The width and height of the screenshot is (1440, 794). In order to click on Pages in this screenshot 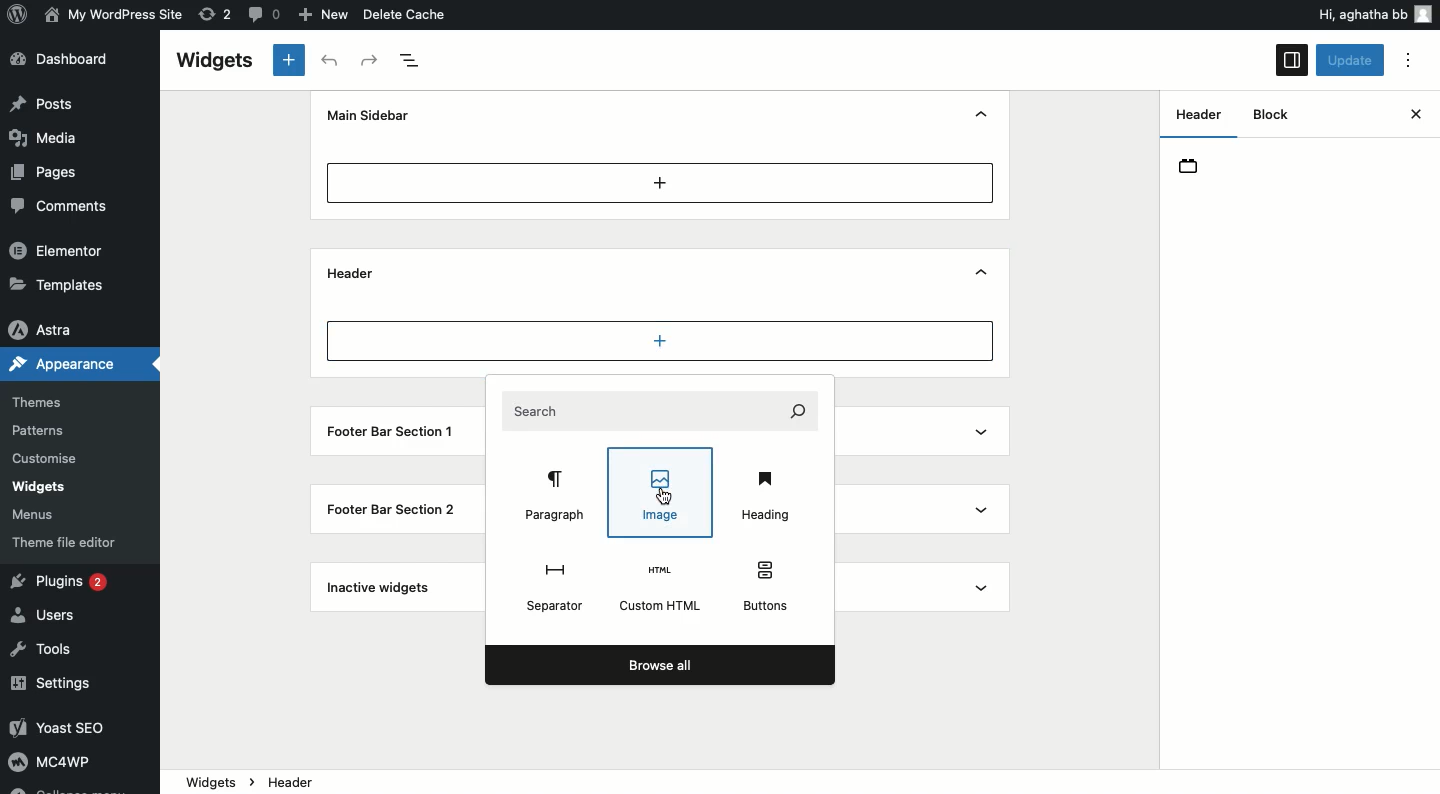, I will do `click(47, 173)`.